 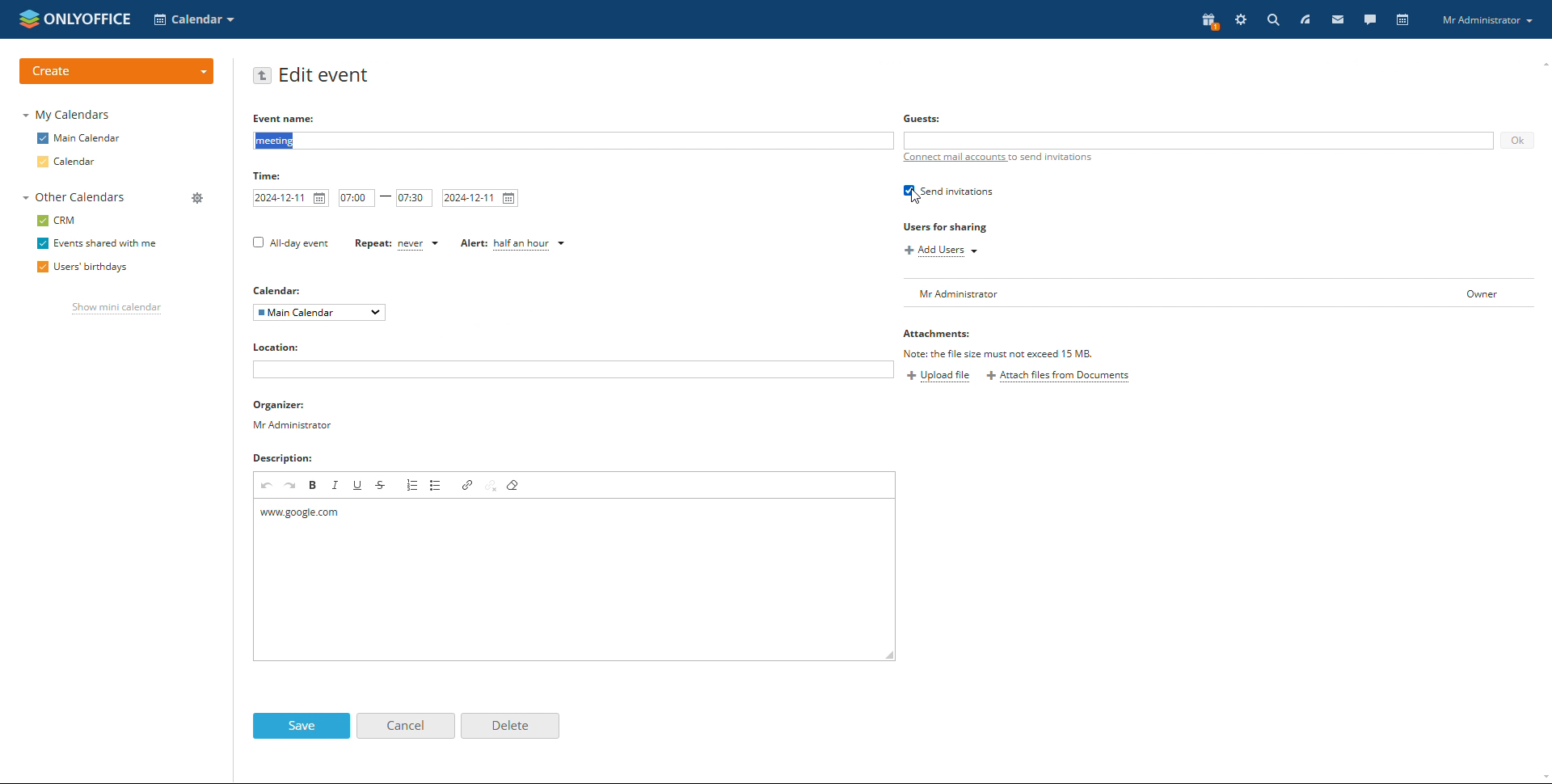 What do you see at coordinates (268, 176) in the screenshot?
I see `Time:` at bounding box center [268, 176].